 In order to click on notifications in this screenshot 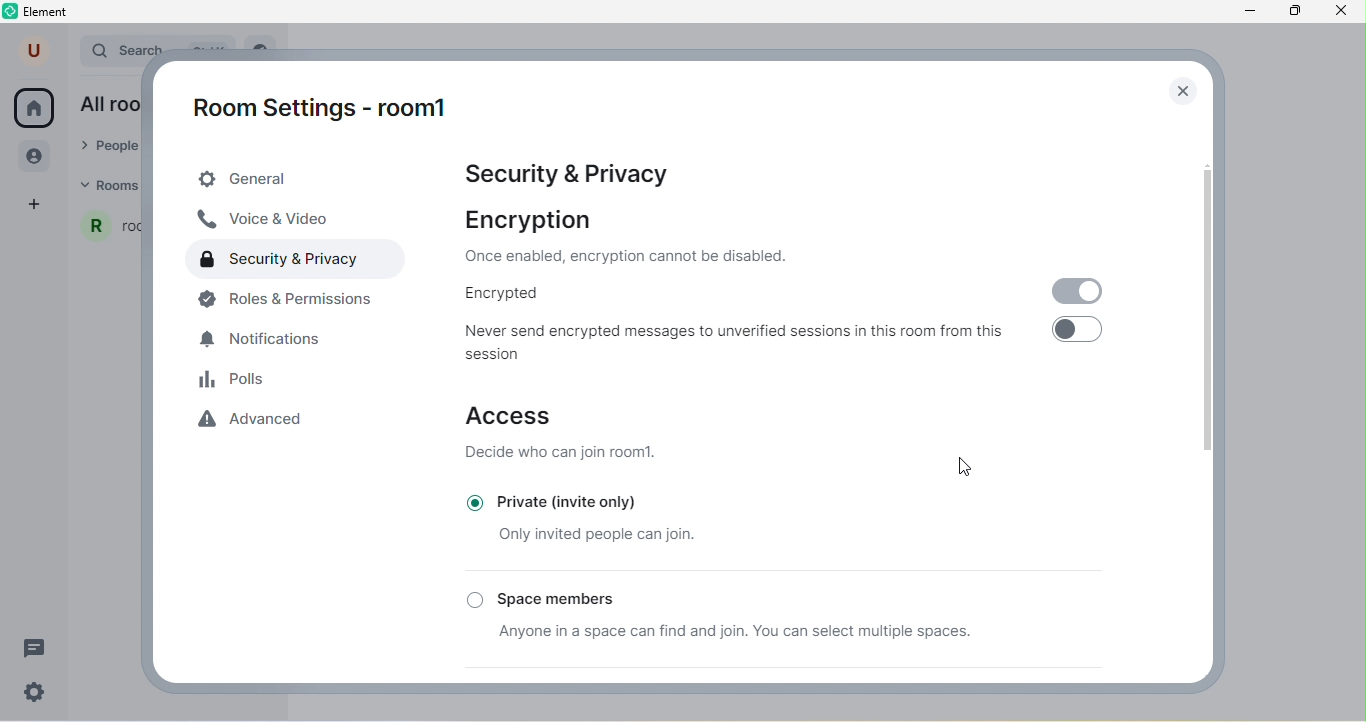, I will do `click(272, 340)`.